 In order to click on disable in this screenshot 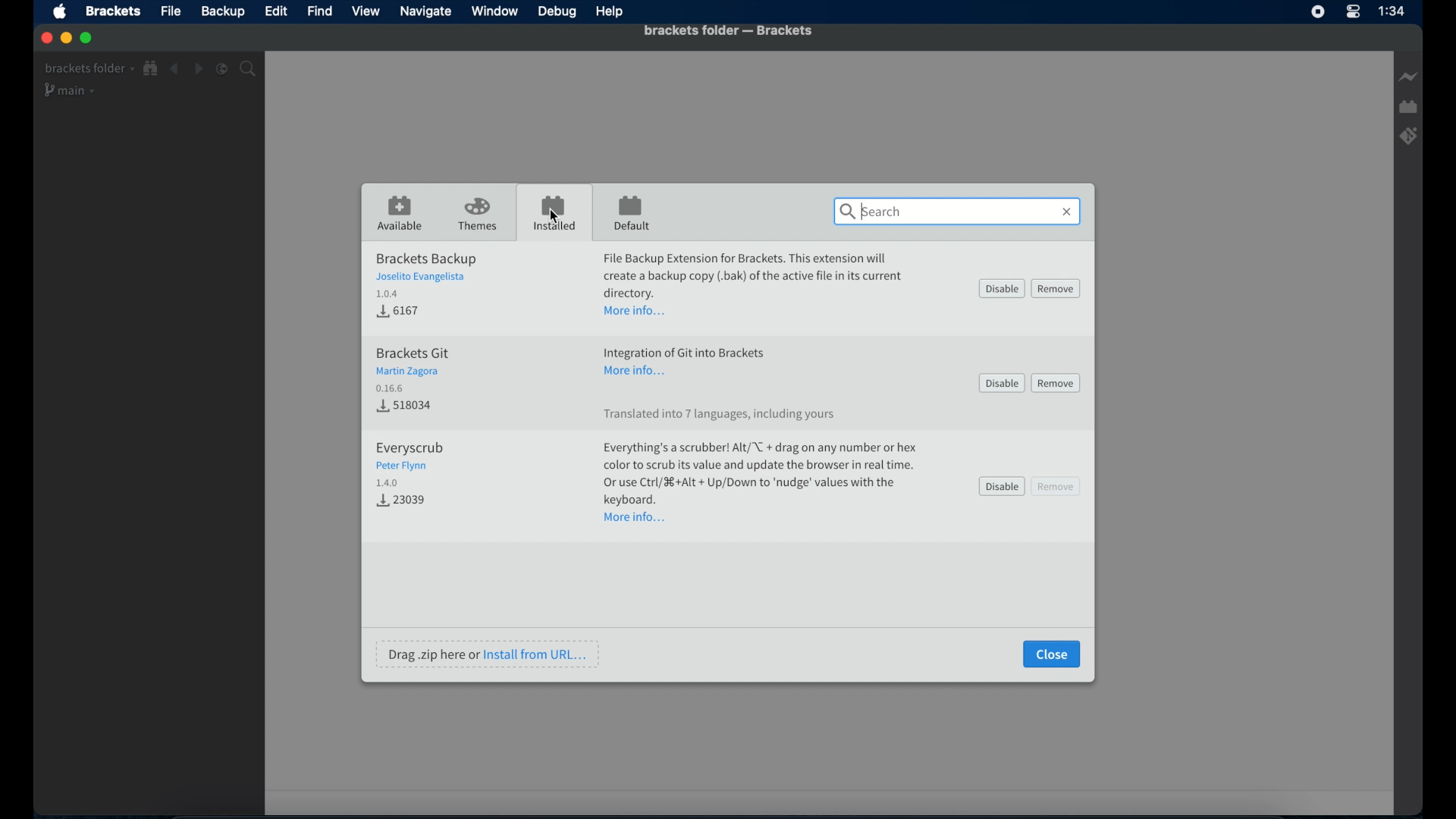, I will do `click(1001, 289)`.